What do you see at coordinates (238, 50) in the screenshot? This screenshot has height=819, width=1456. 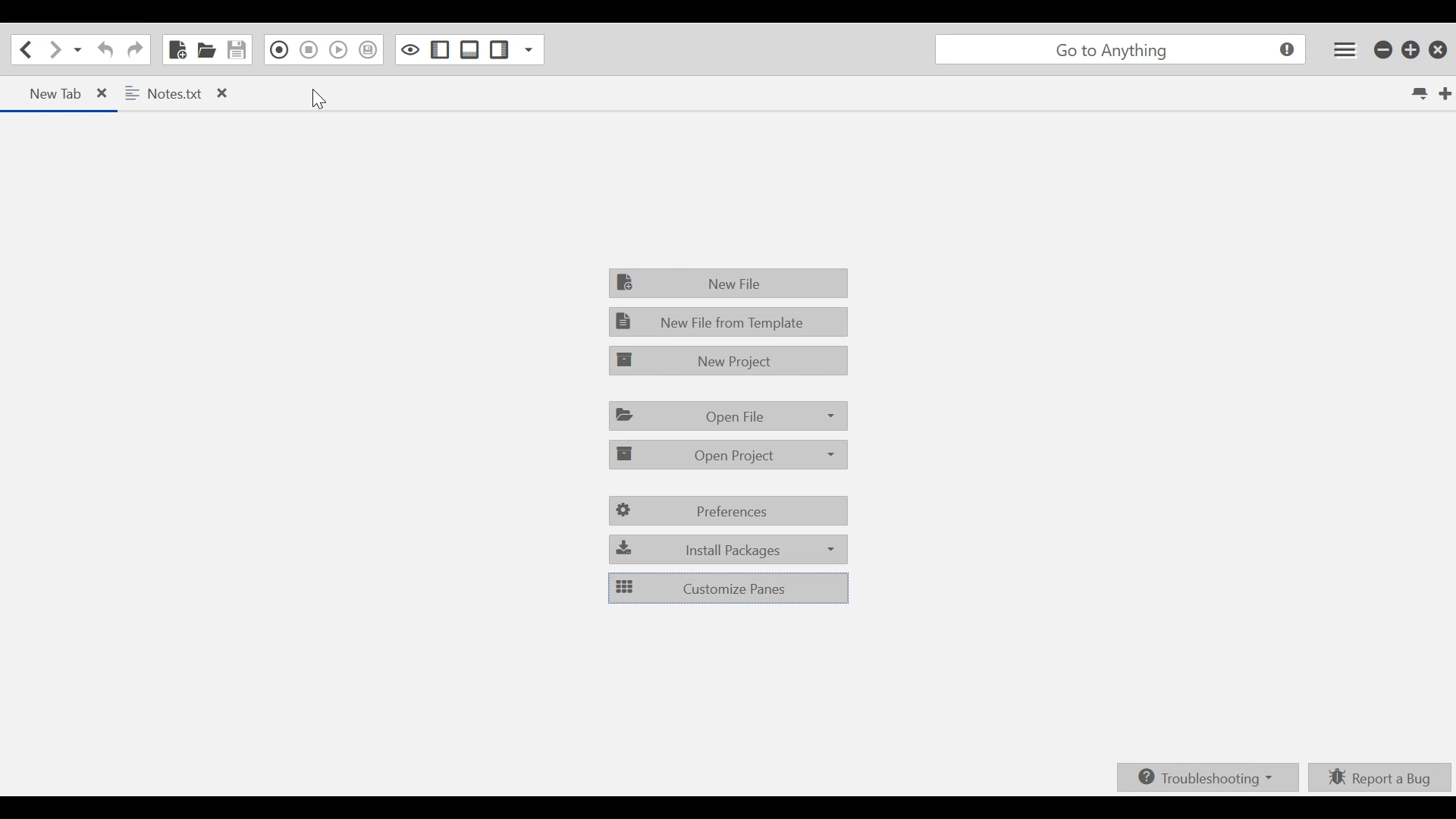 I see `Save File` at bounding box center [238, 50].